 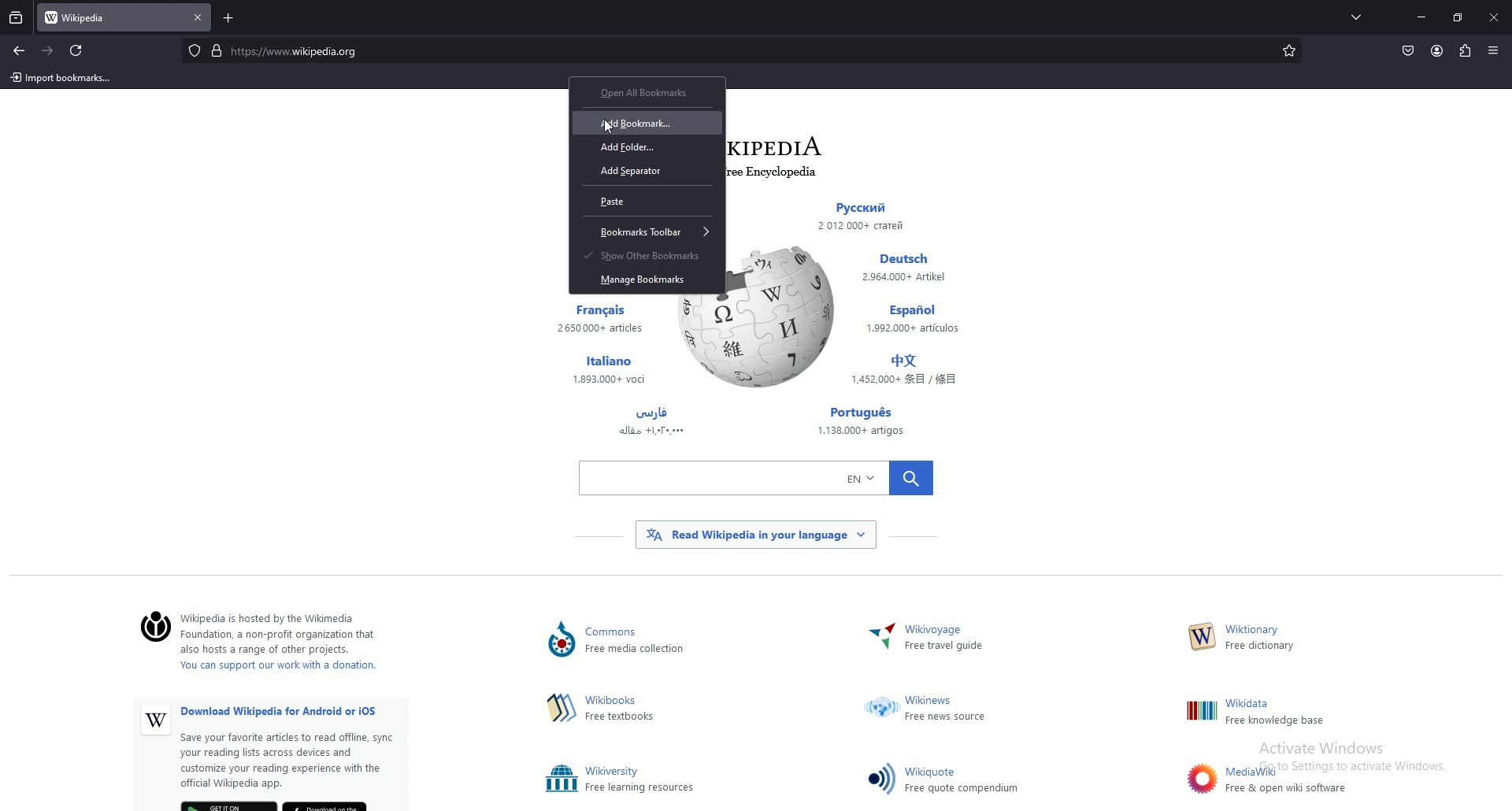 I want to click on hima
Free textbooks, so click(x=623, y=709).